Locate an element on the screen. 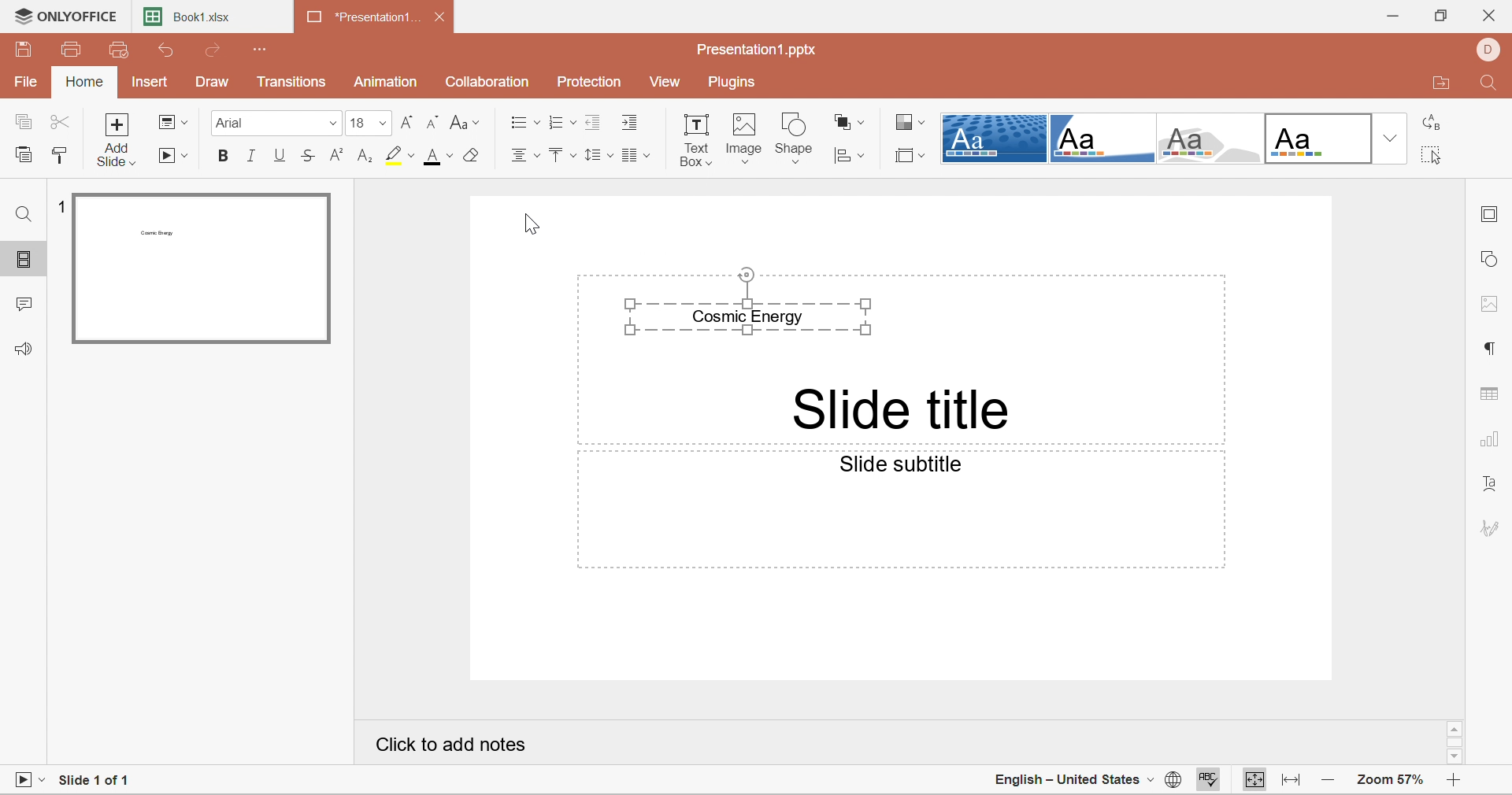 The height and width of the screenshot is (795, 1512). File is located at coordinates (26, 83).